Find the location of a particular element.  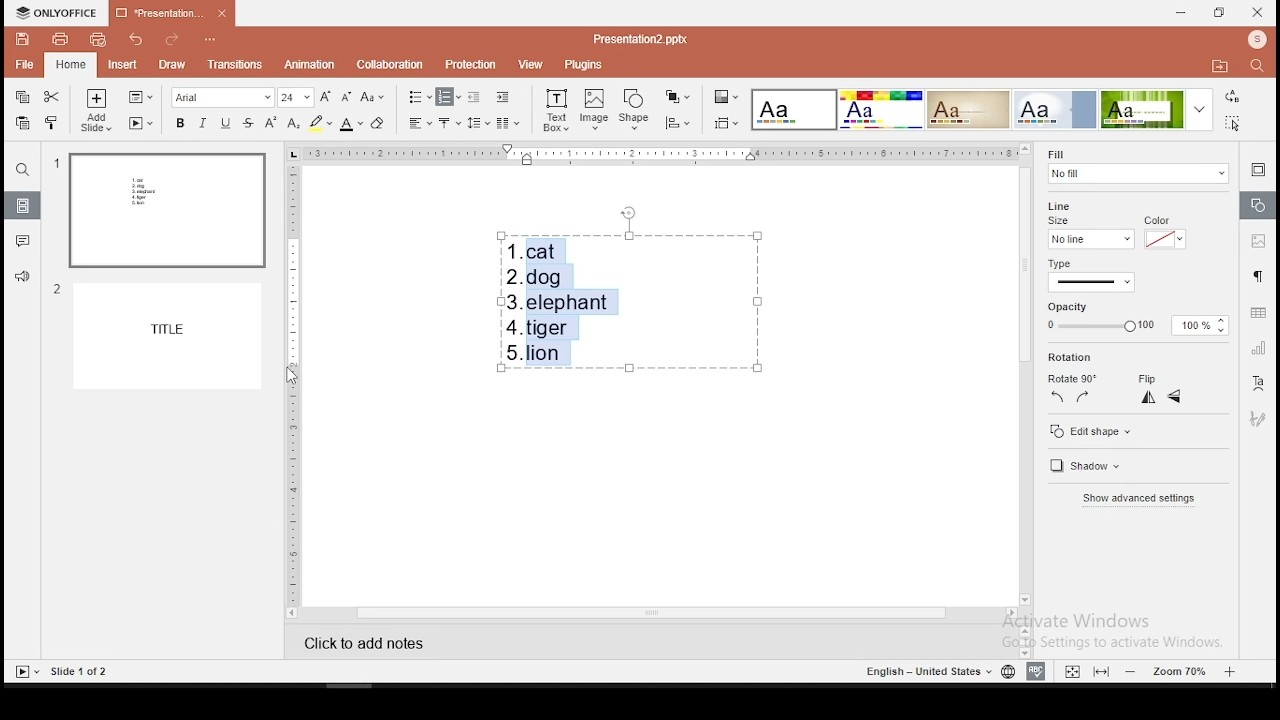

find is located at coordinates (1255, 65).